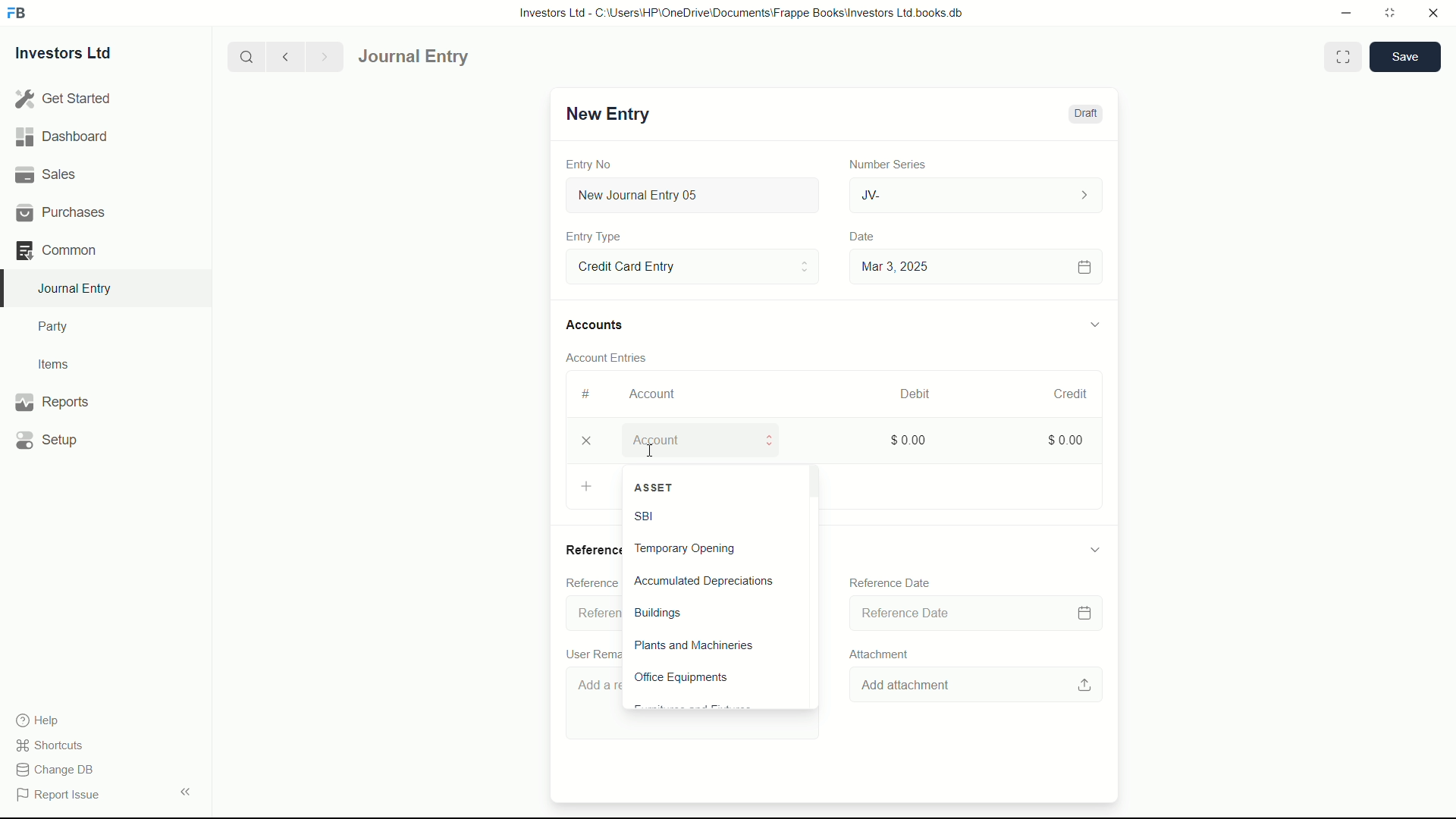 Image resolution: width=1456 pixels, height=819 pixels. Describe the element at coordinates (591, 162) in the screenshot. I see `Entry No` at that location.